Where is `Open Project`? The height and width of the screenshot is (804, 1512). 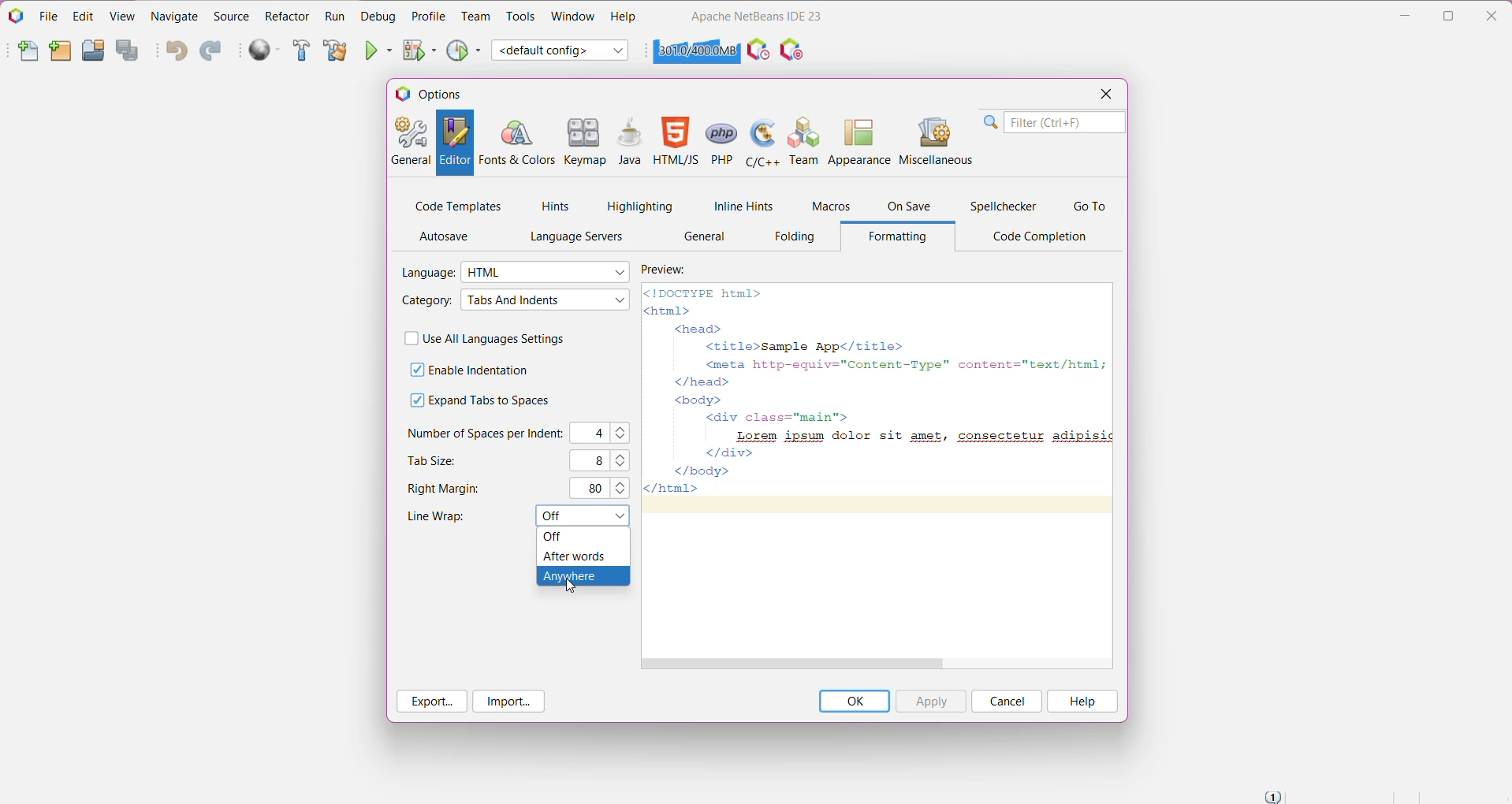 Open Project is located at coordinates (92, 50).